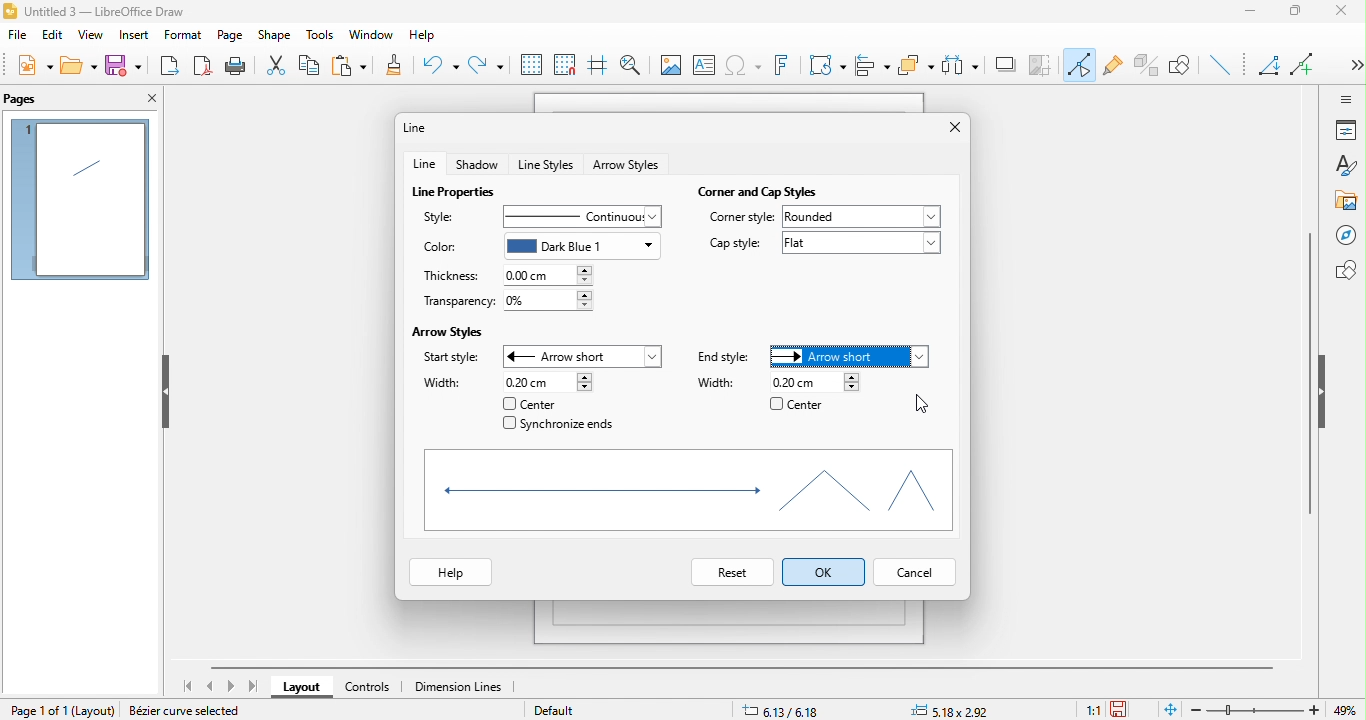  Describe the element at coordinates (191, 712) in the screenshot. I see `Bezier curve selected` at that location.